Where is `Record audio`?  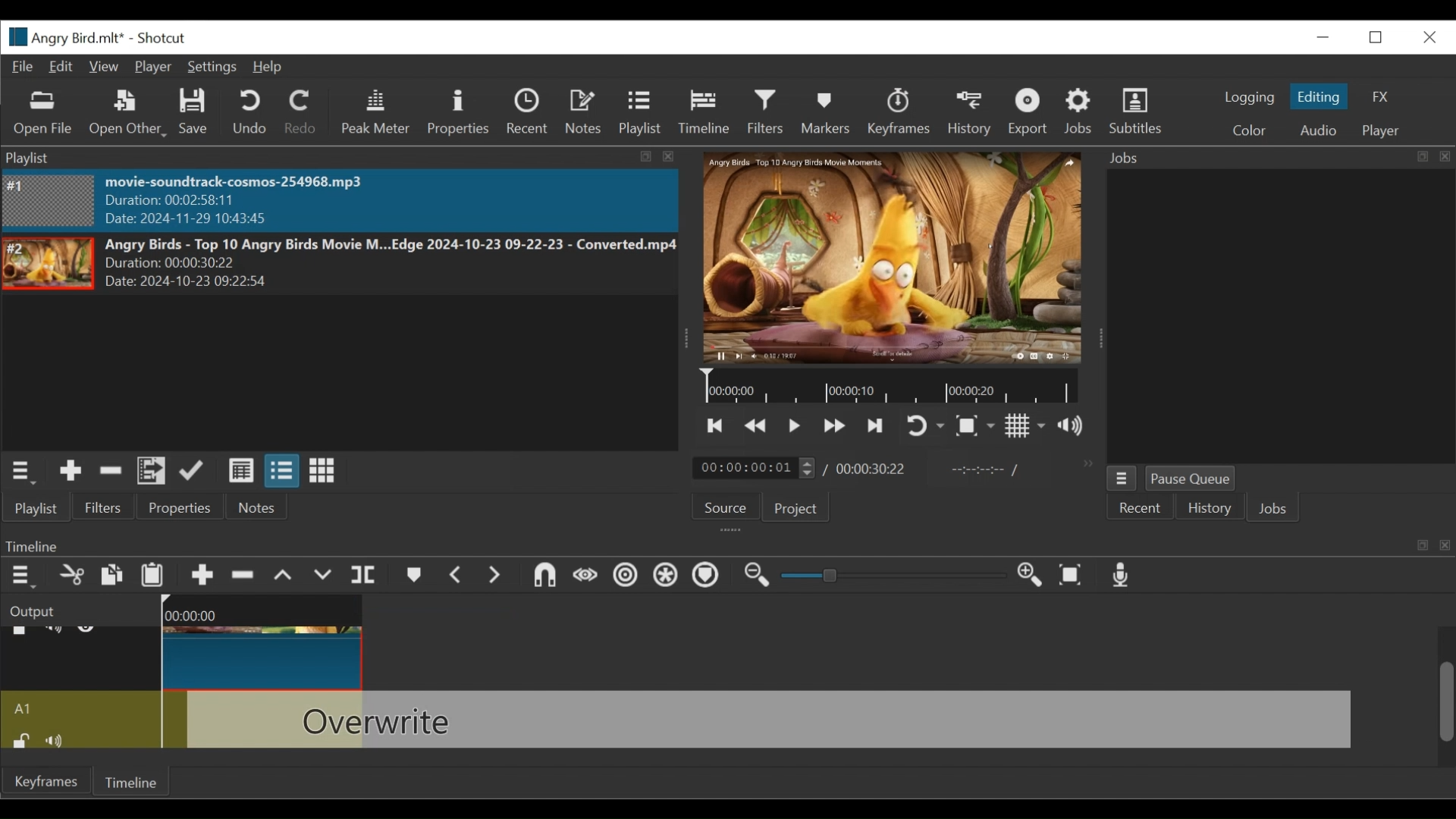 Record audio is located at coordinates (1122, 576).